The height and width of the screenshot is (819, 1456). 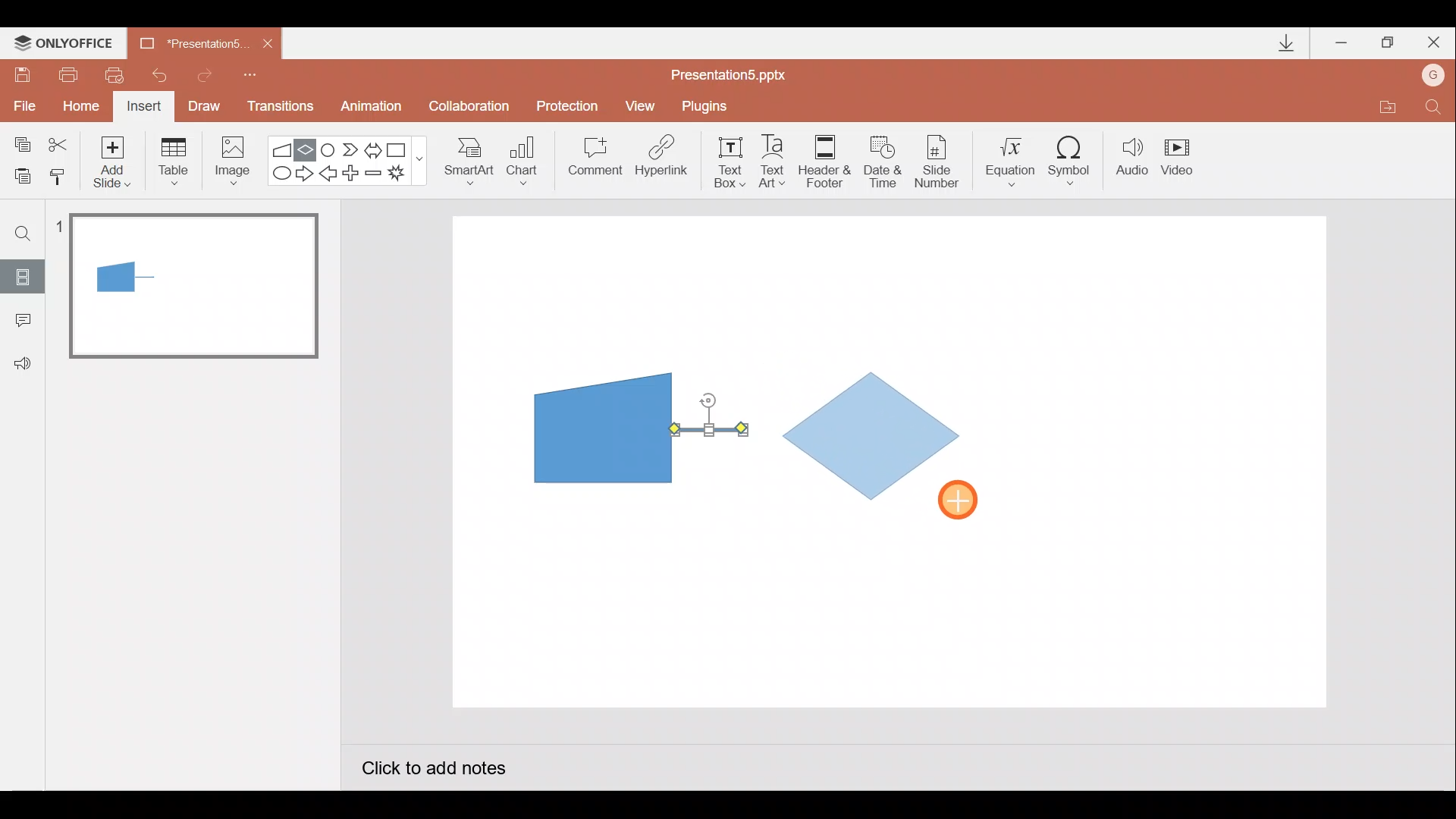 I want to click on Downloads, so click(x=1284, y=44).